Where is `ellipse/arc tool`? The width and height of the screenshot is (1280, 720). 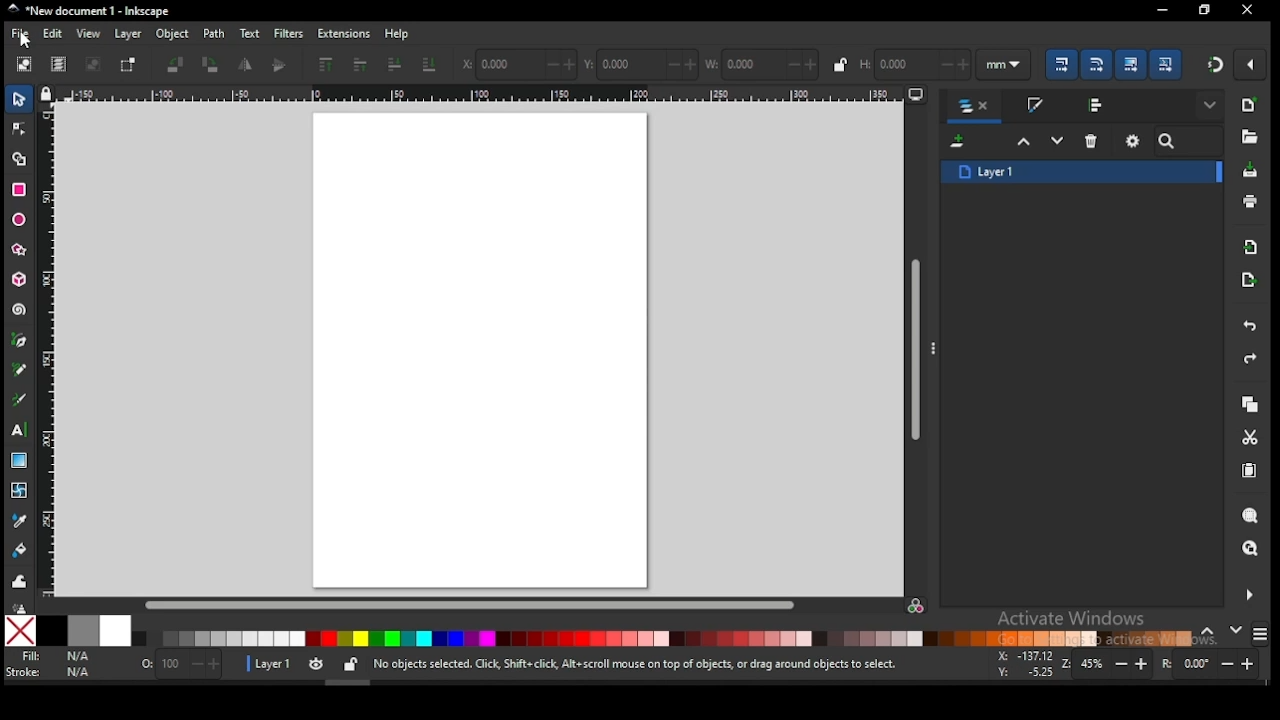 ellipse/arc tool is located at coordinates (20, 221).